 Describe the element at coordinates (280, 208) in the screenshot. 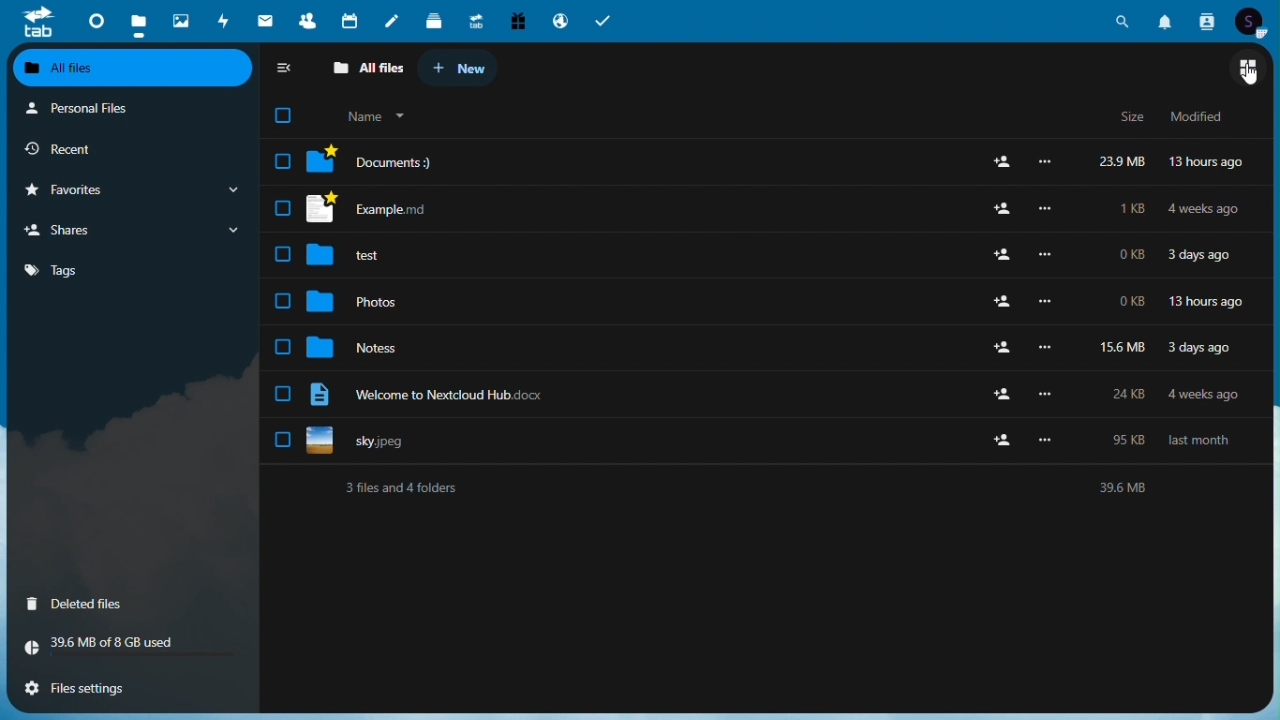

I see `checkbox` at that location.